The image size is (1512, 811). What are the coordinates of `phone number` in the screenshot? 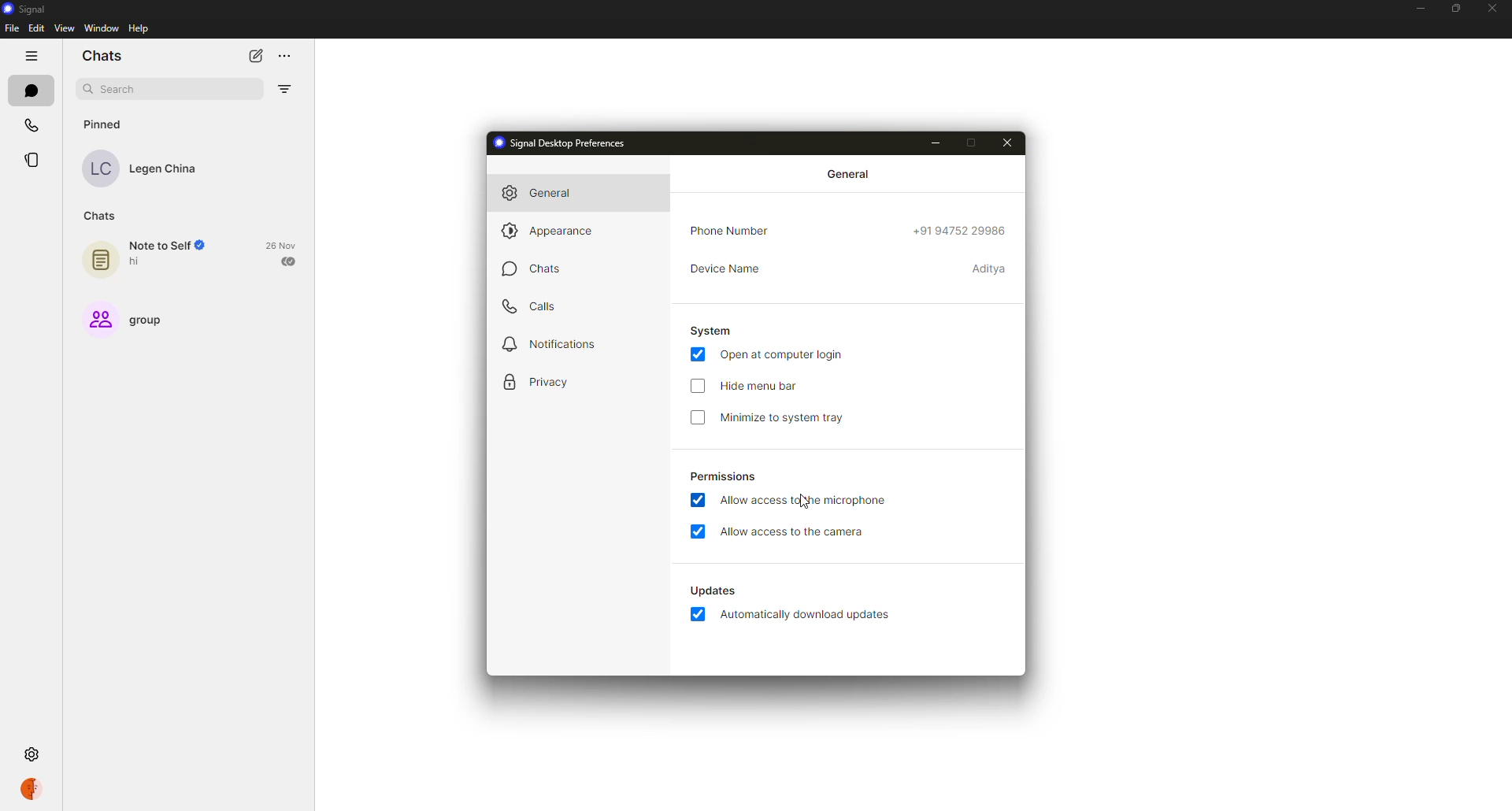 It's located at (961, 228).